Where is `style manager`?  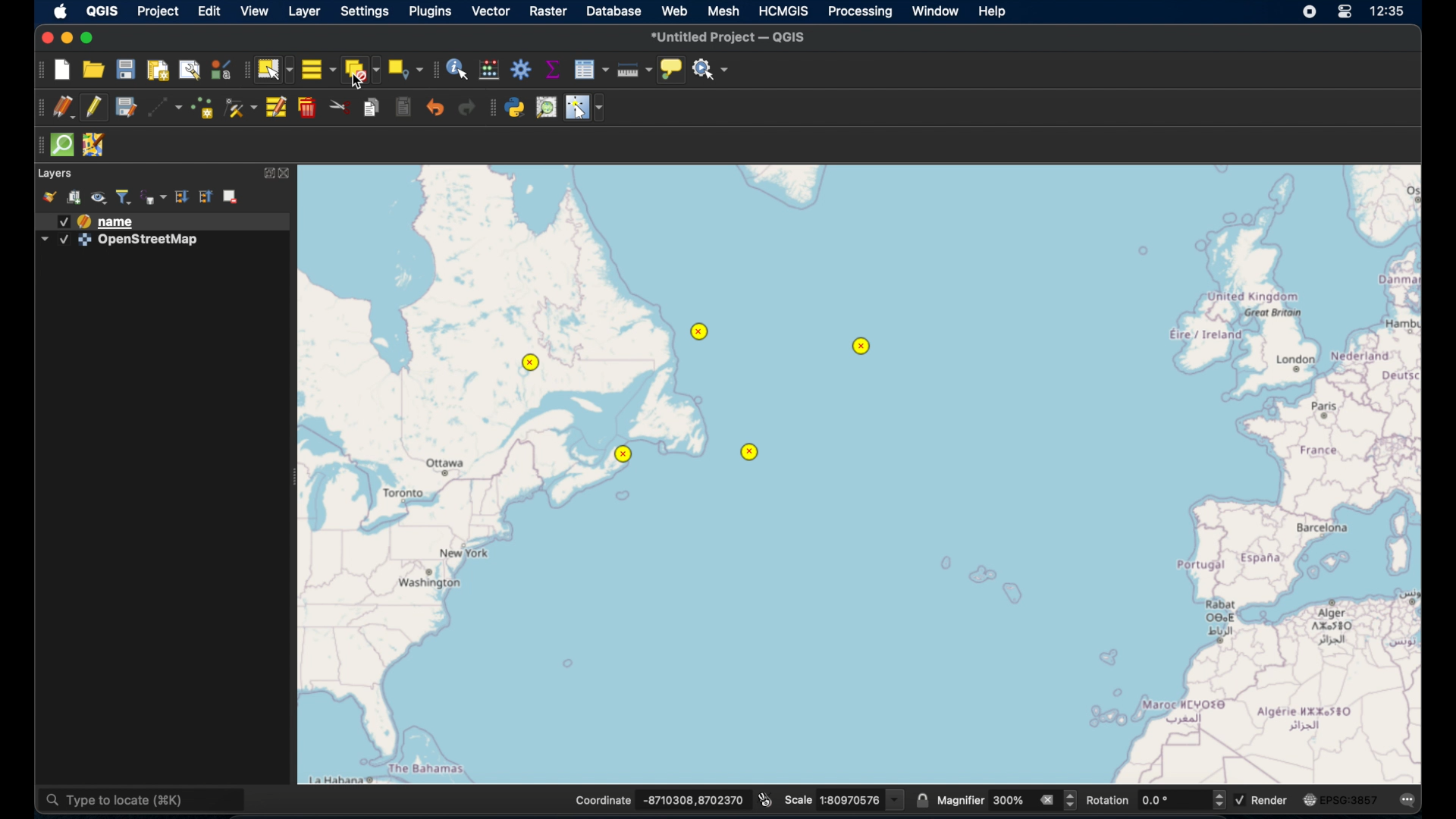
style manager is located at coordinates (220, 71).